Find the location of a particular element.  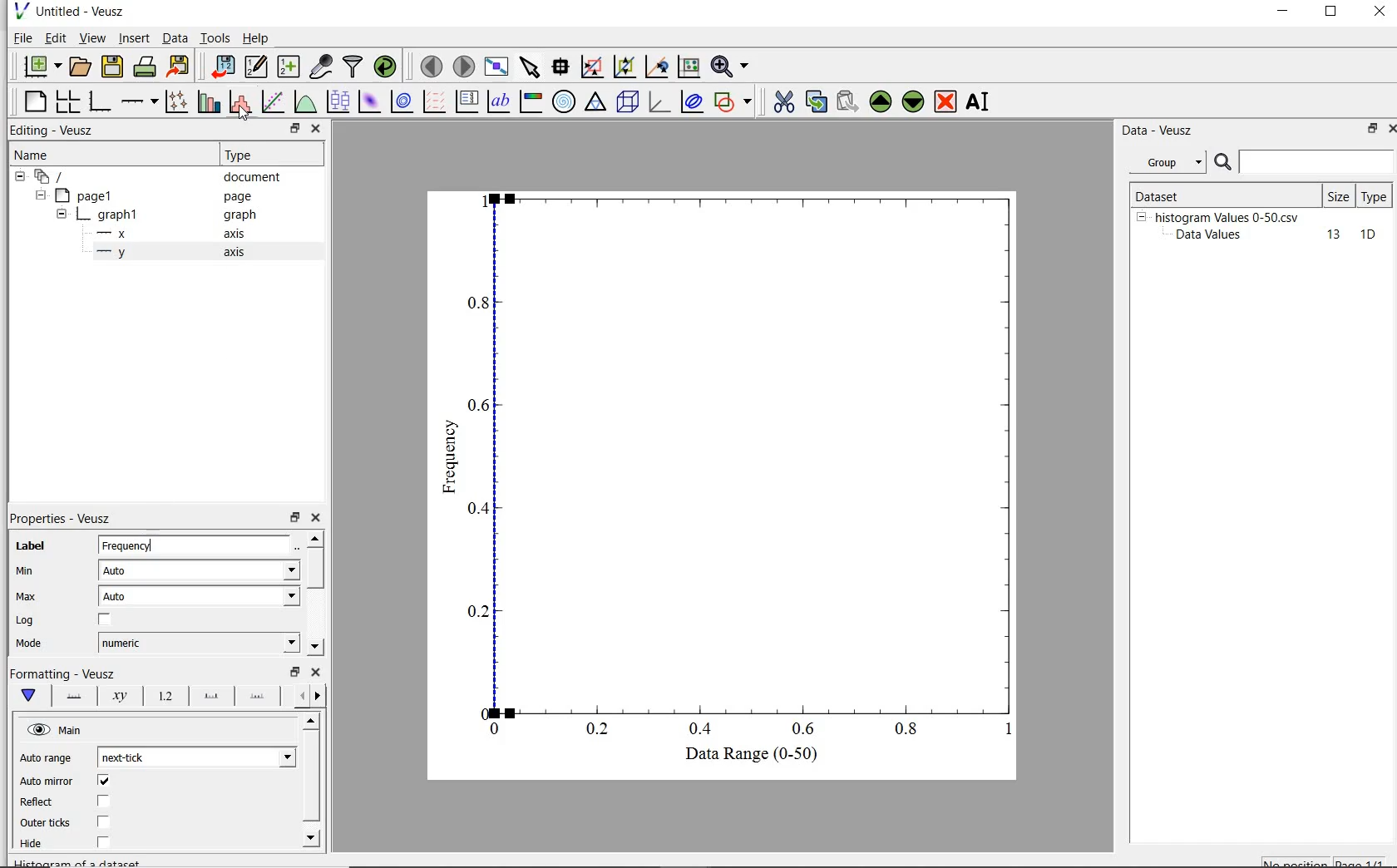

chcekbox is located at coordinates (106, 620).